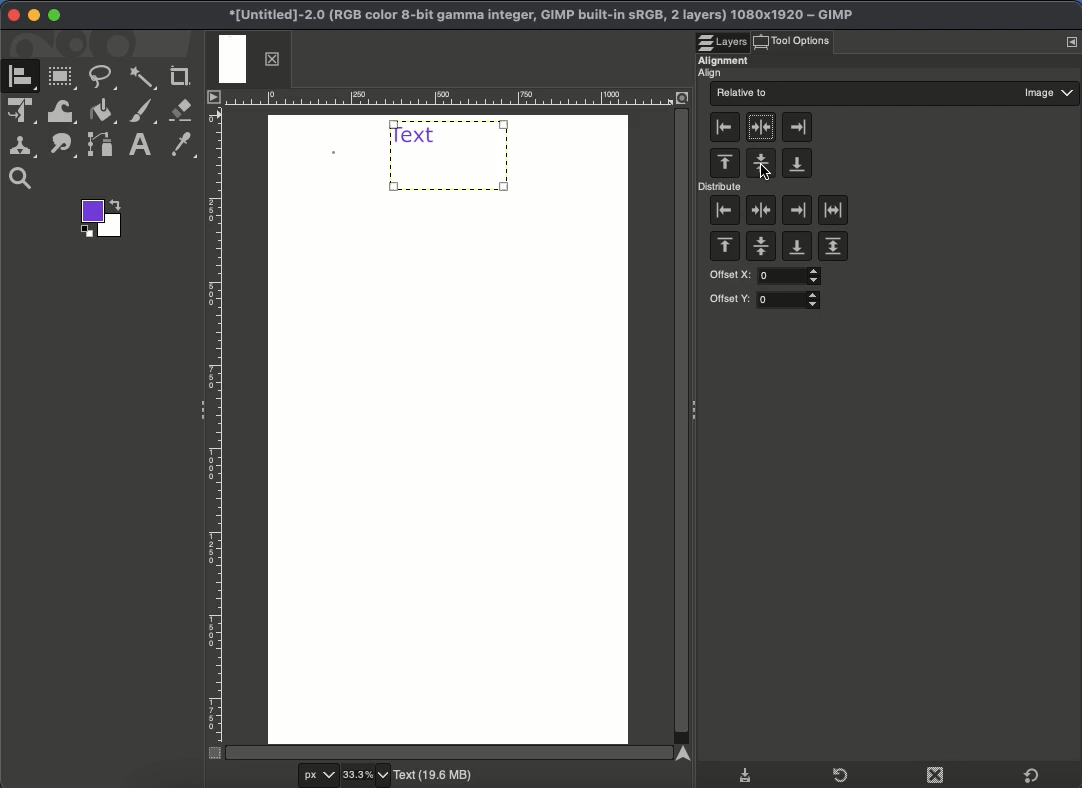 The width and height of the screenshot is (1082, 788). What do you see at coordinates (722, 188) in the screenshot?
I see `Distribute` at bounding box center [722, 188].